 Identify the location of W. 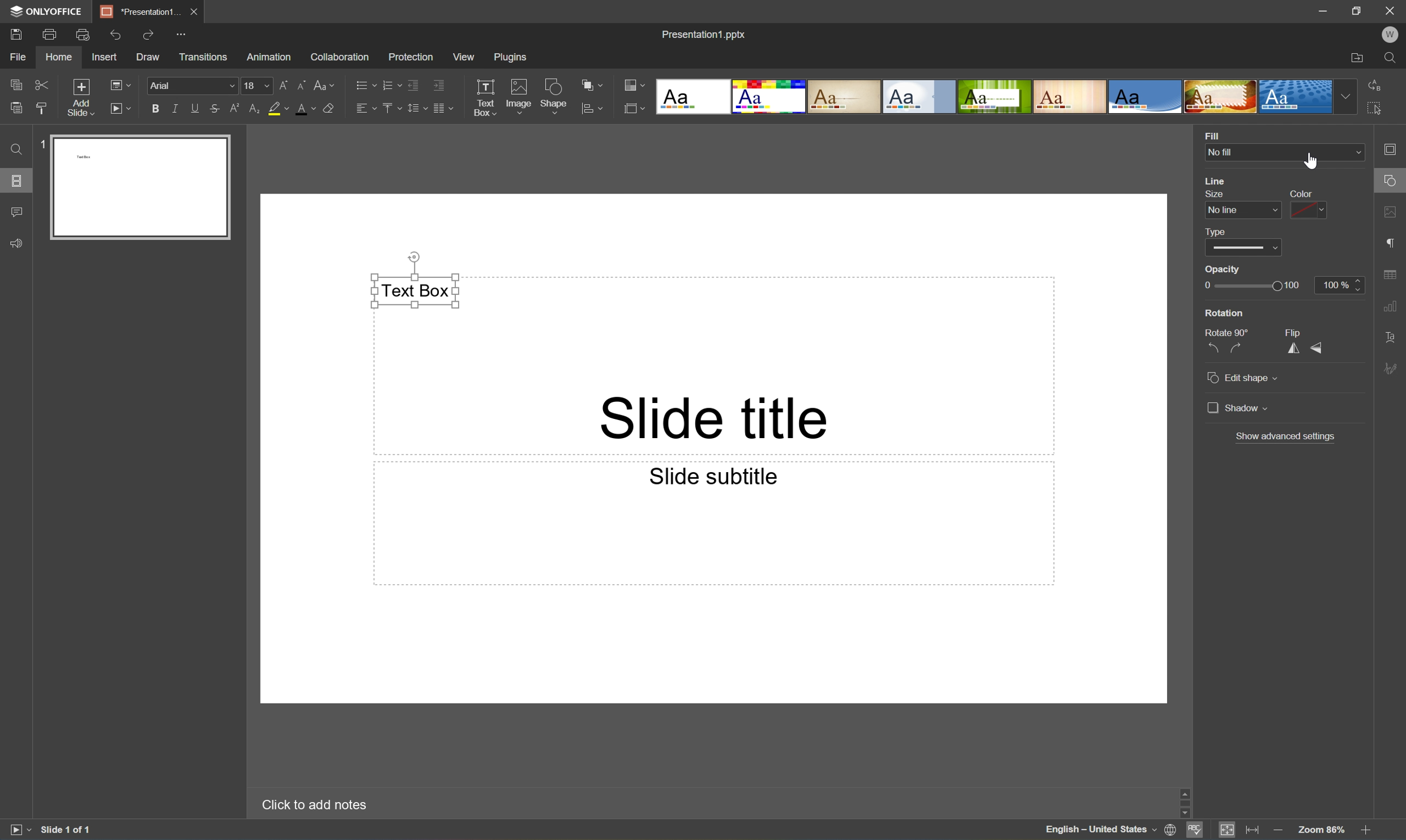
(1393, 36).